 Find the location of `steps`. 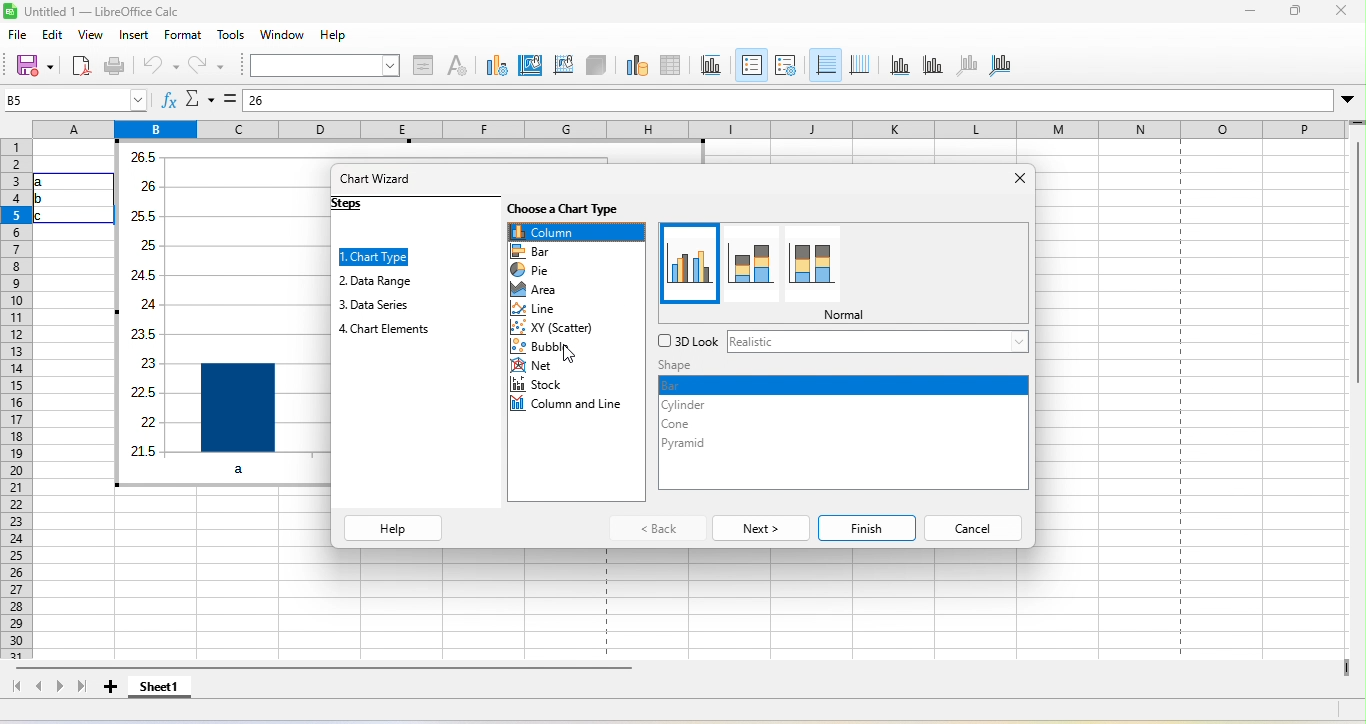

steps is located at coordinates (365, 209).